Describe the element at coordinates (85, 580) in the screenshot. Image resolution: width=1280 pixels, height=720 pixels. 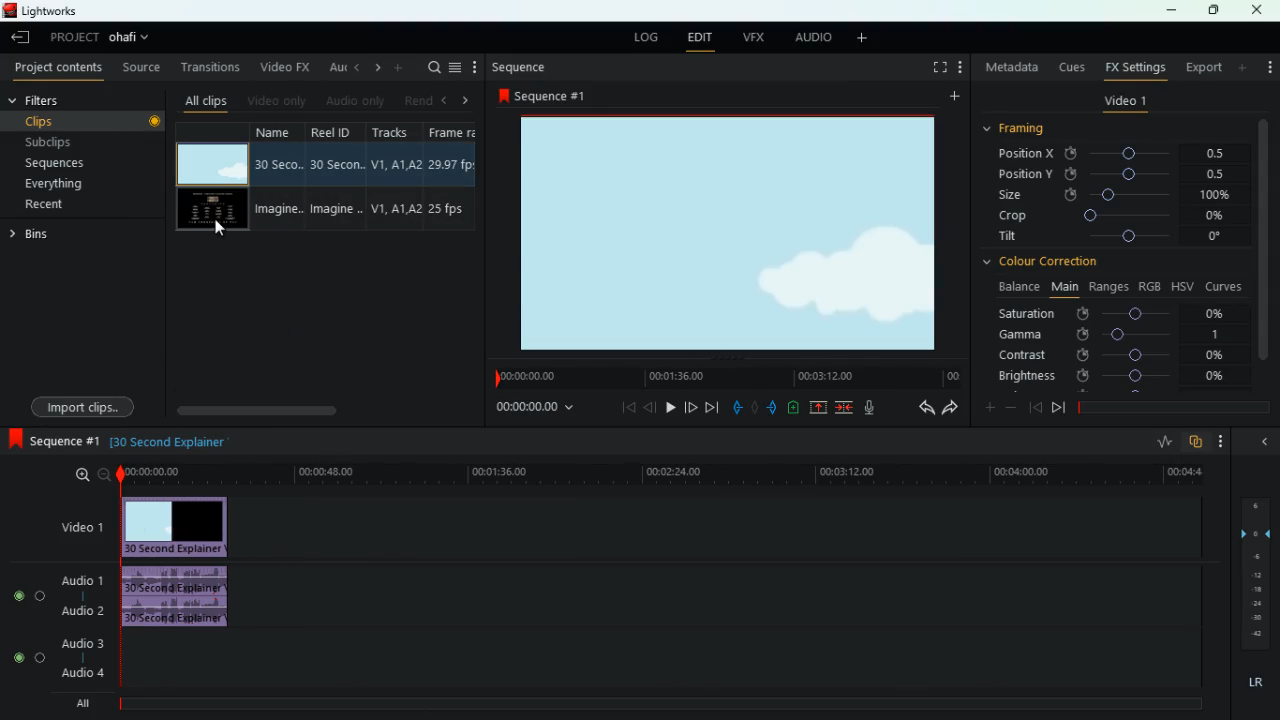
I see `audio 1` at that location.